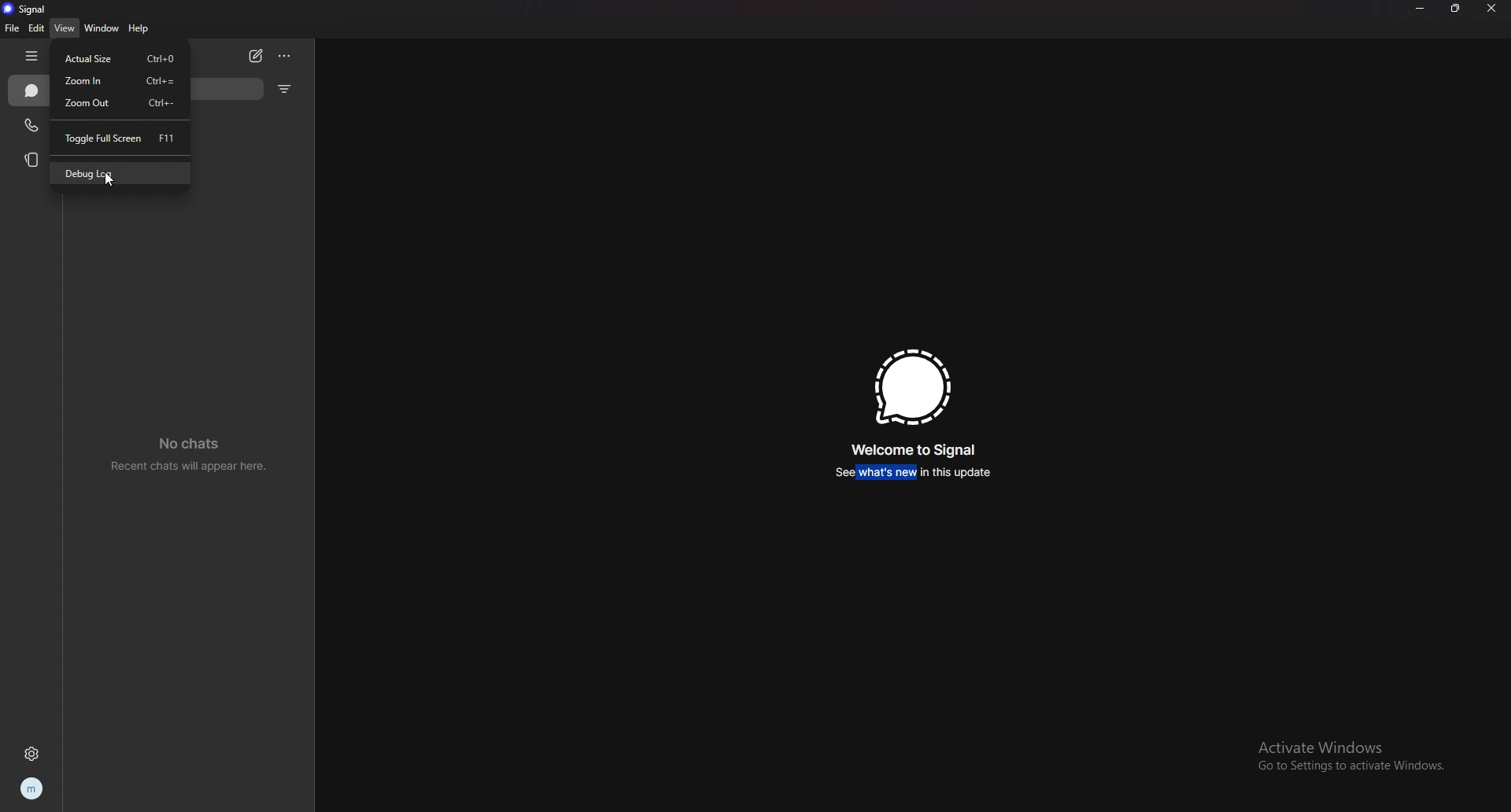 This screenshot has height=812, width=1511. I want to click on view, so click(64, 29).